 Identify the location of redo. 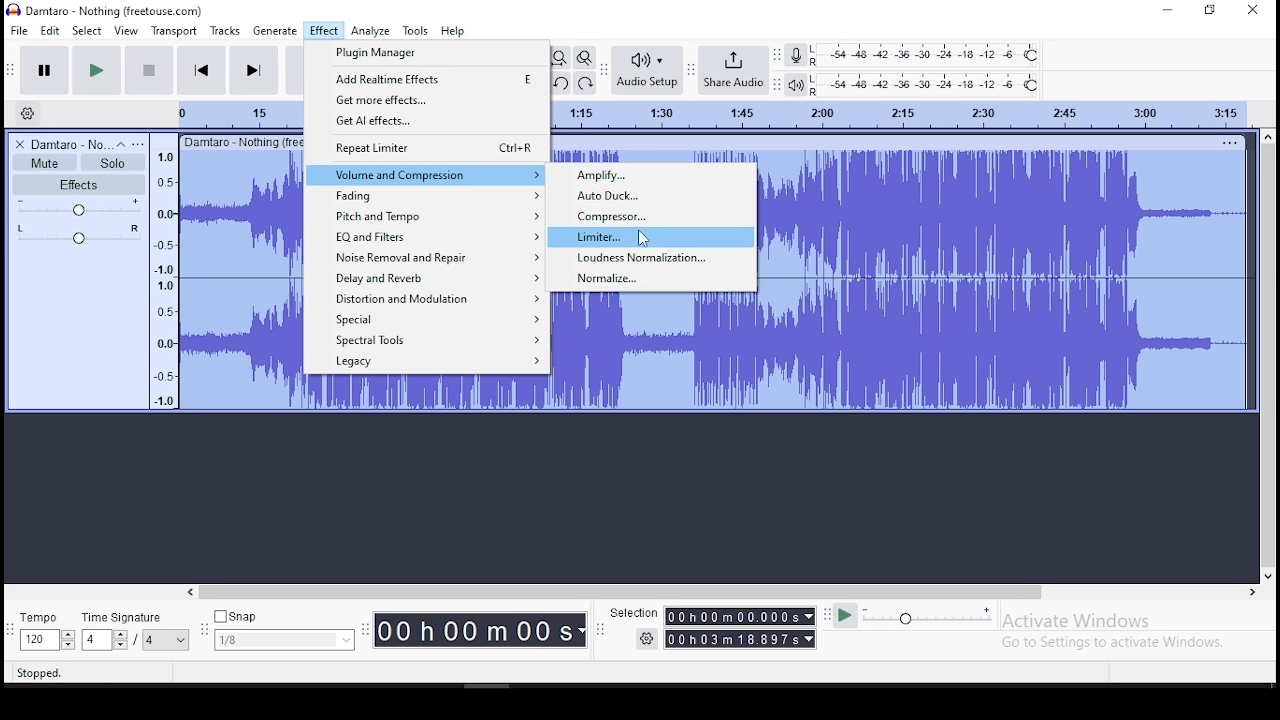
(586, 83).